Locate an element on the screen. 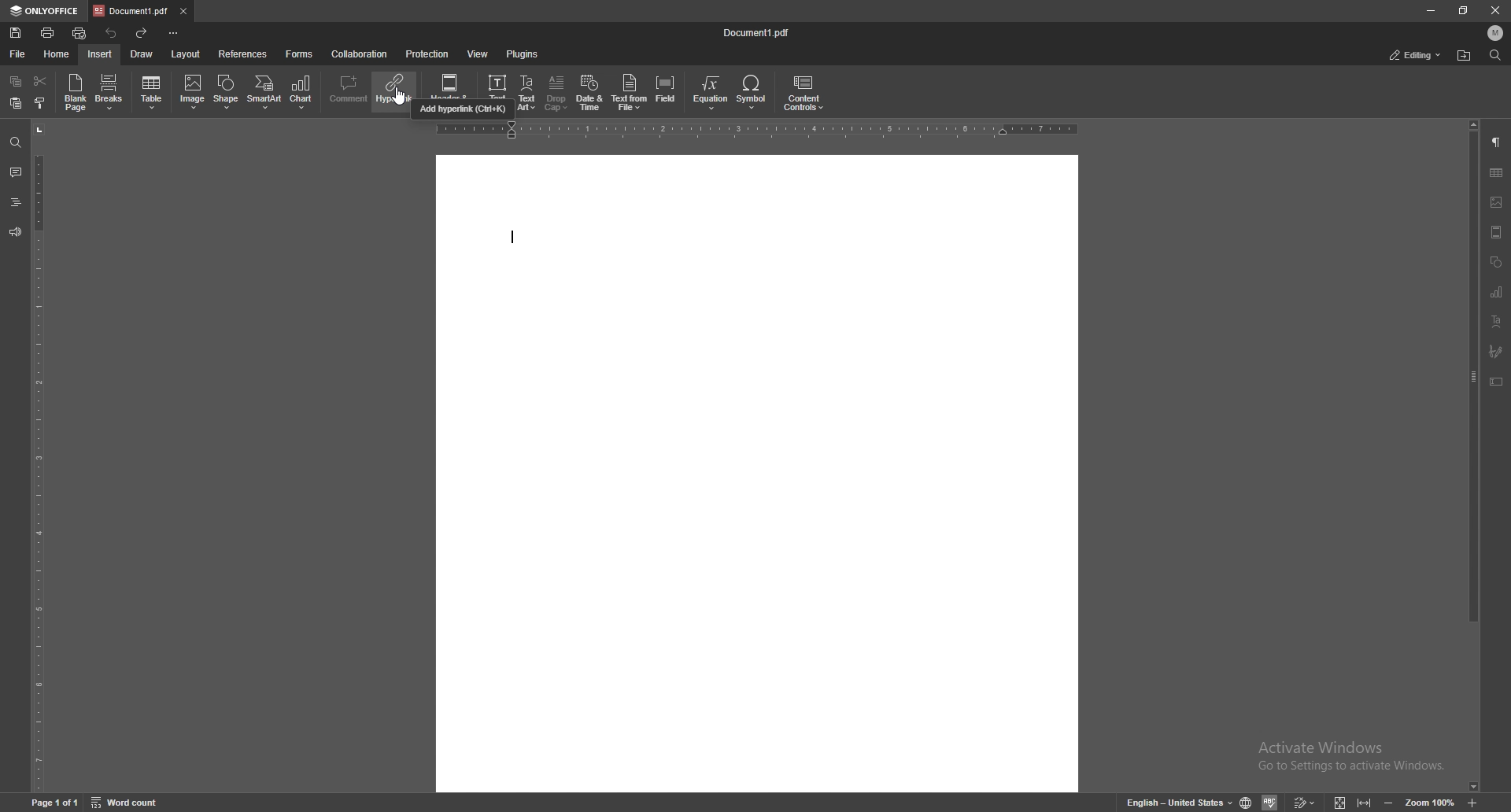 This screenshot has width=1511, height=812. fit to screen is located at coordinates (1340, 801).